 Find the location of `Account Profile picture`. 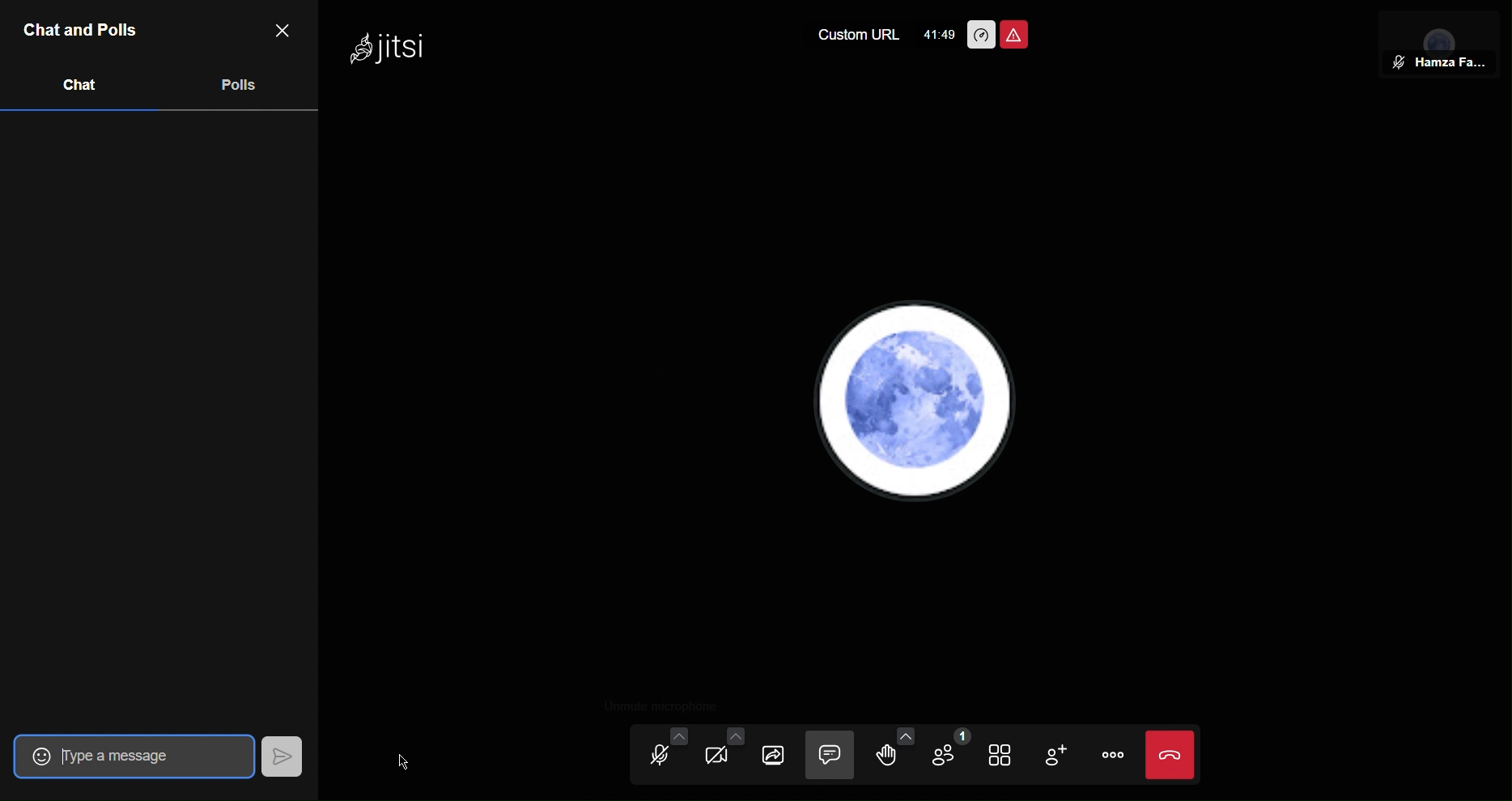

Account Profile picture is located at coordinates (914, 404).